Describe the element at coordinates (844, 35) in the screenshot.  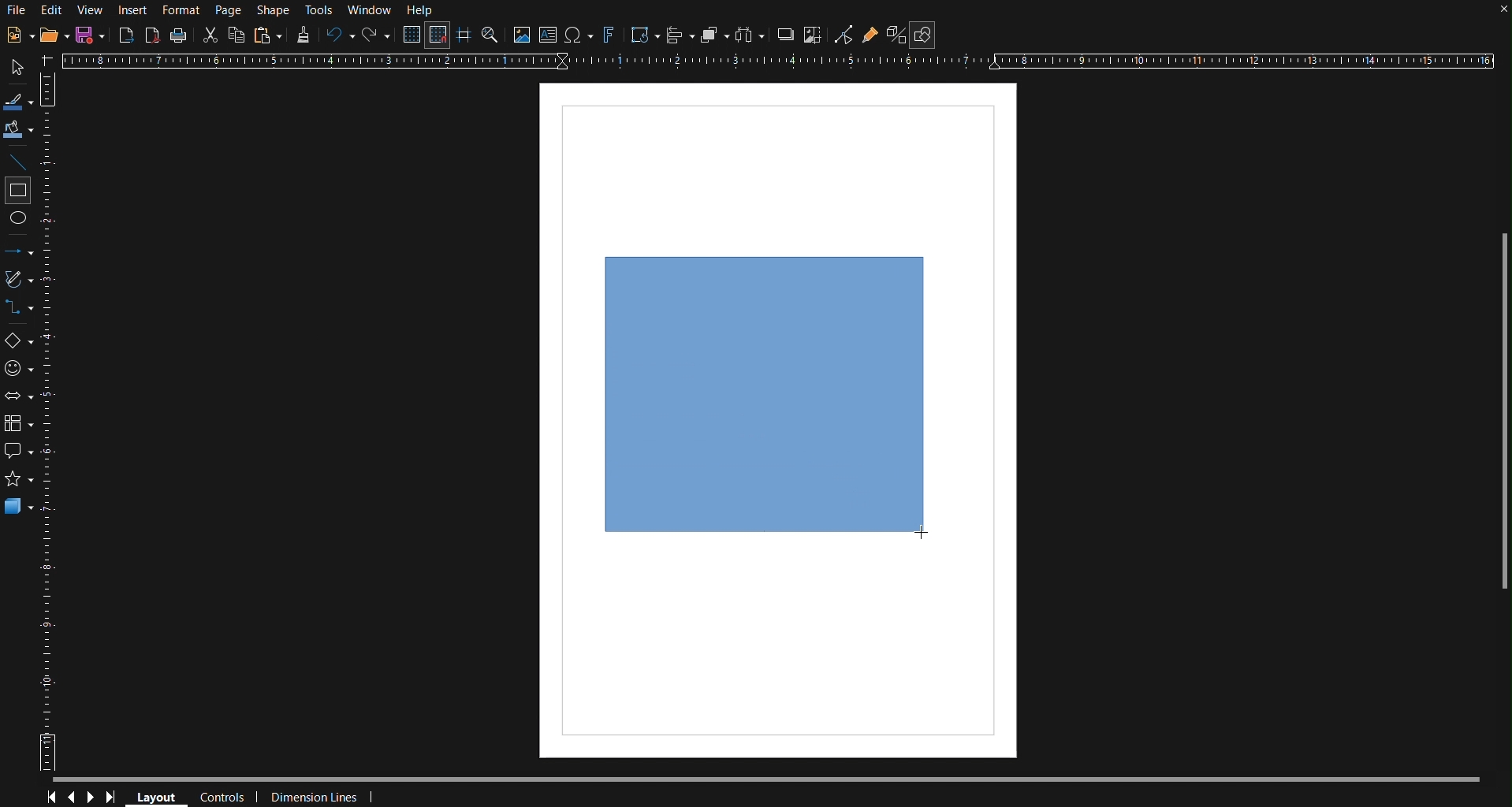
I see `Toggle Point Edit Mode` at that location.